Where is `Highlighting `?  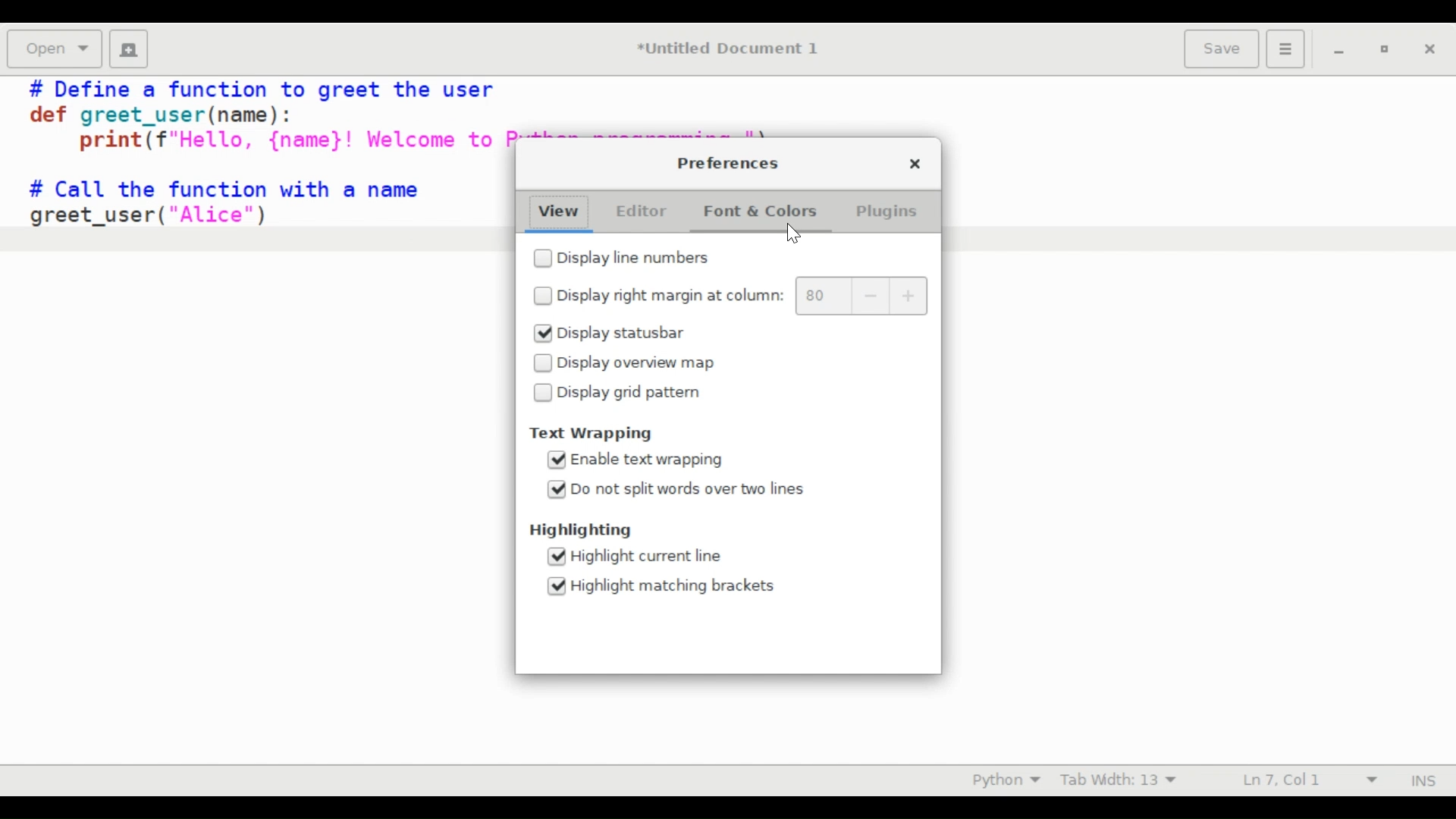 Highlighting  is located at coordinates (582, 531).